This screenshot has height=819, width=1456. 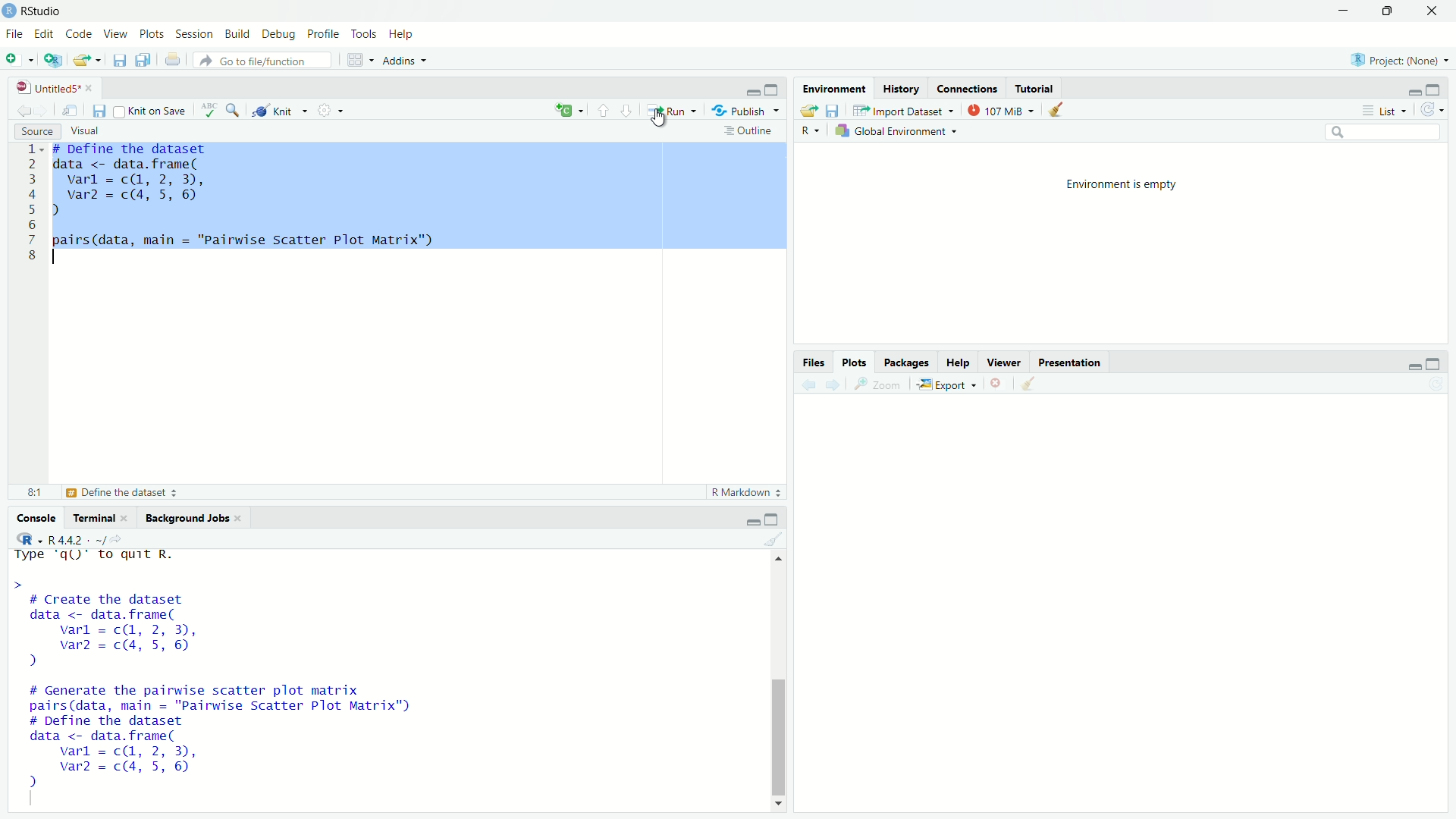 What do you see at coordinates (805, 383) in the screenshot?
I see `Go back to the previous source location (Ctrl + F9)` at bounding box center [805, 383].